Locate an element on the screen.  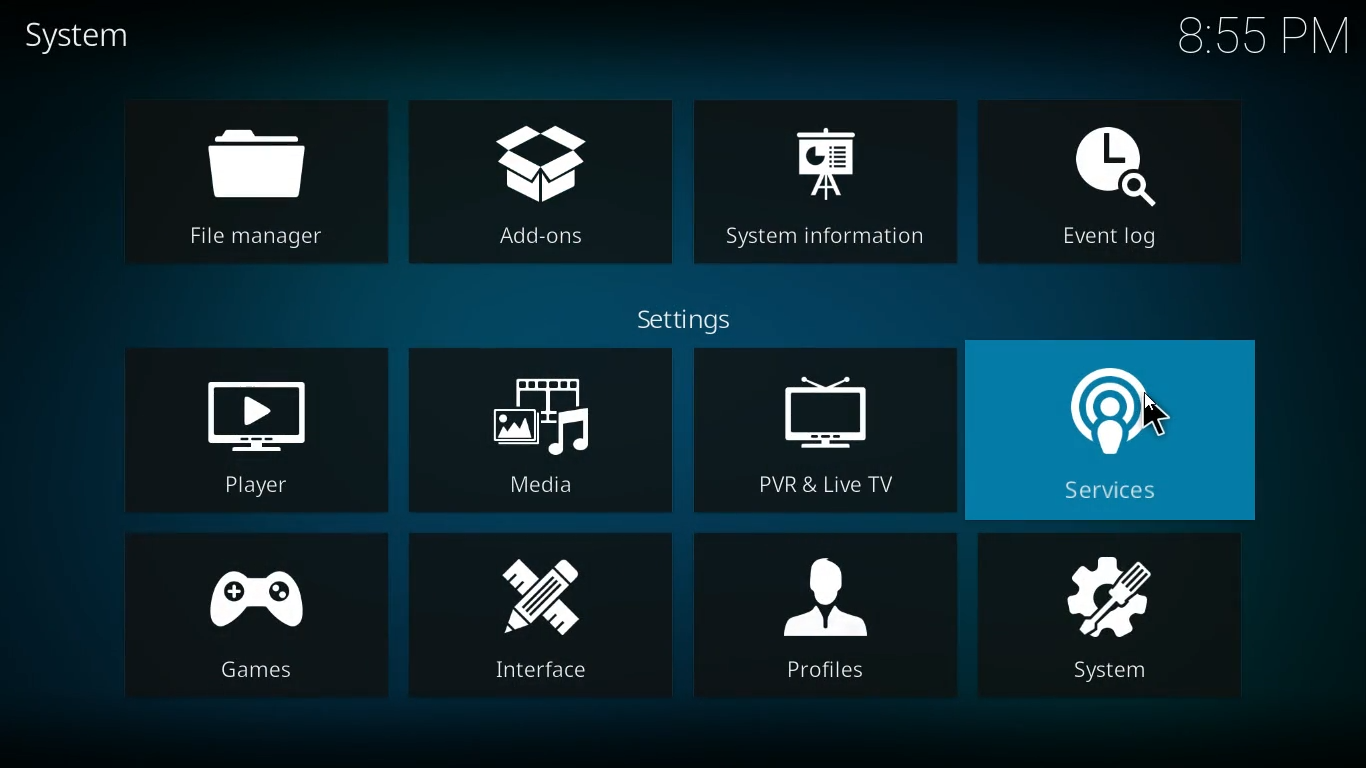
pvr & live tv is located at coordinates (820, 434).